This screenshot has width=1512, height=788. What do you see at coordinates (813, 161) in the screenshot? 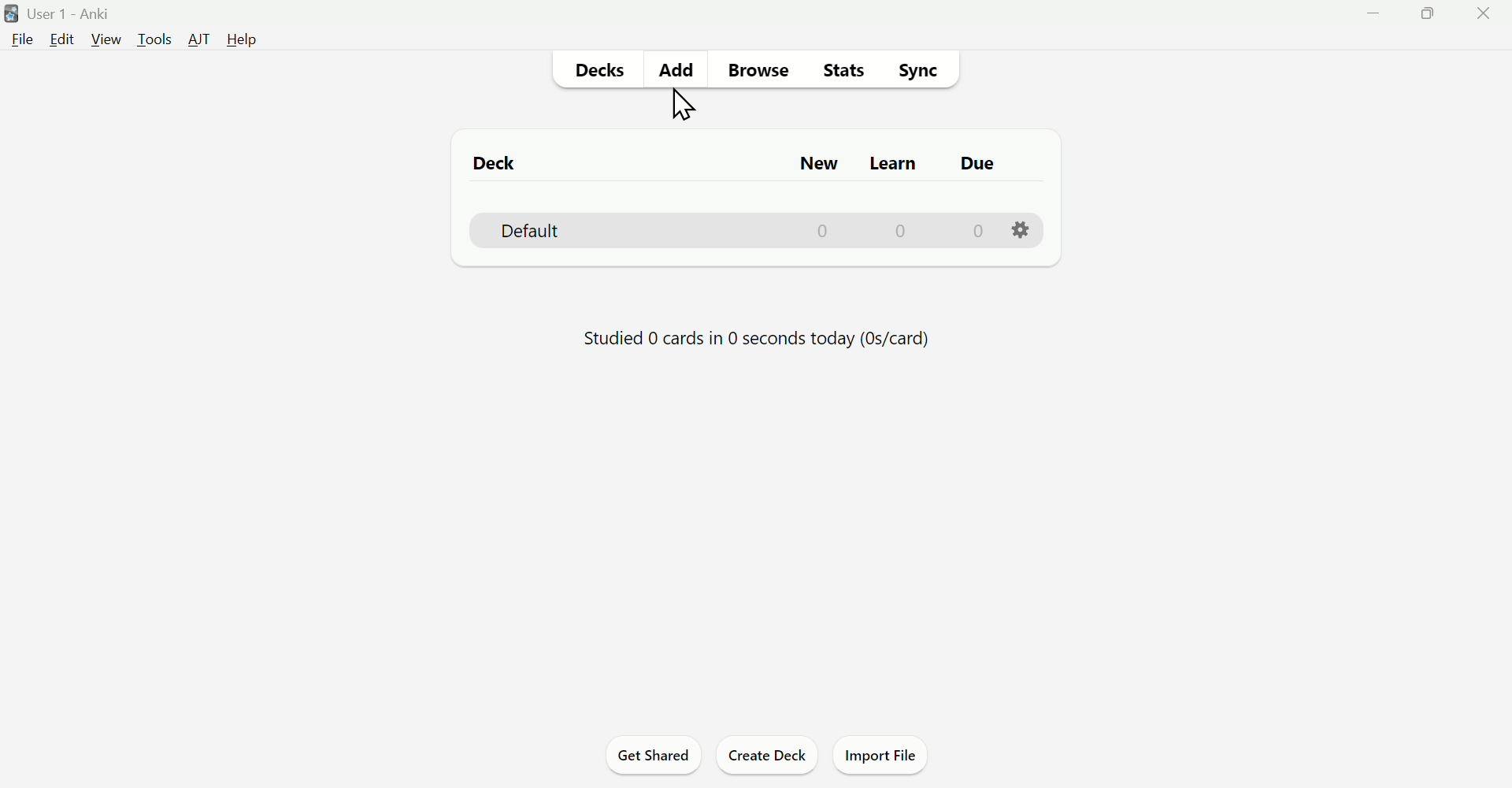
I see `New` at bounding box center [813, 161].